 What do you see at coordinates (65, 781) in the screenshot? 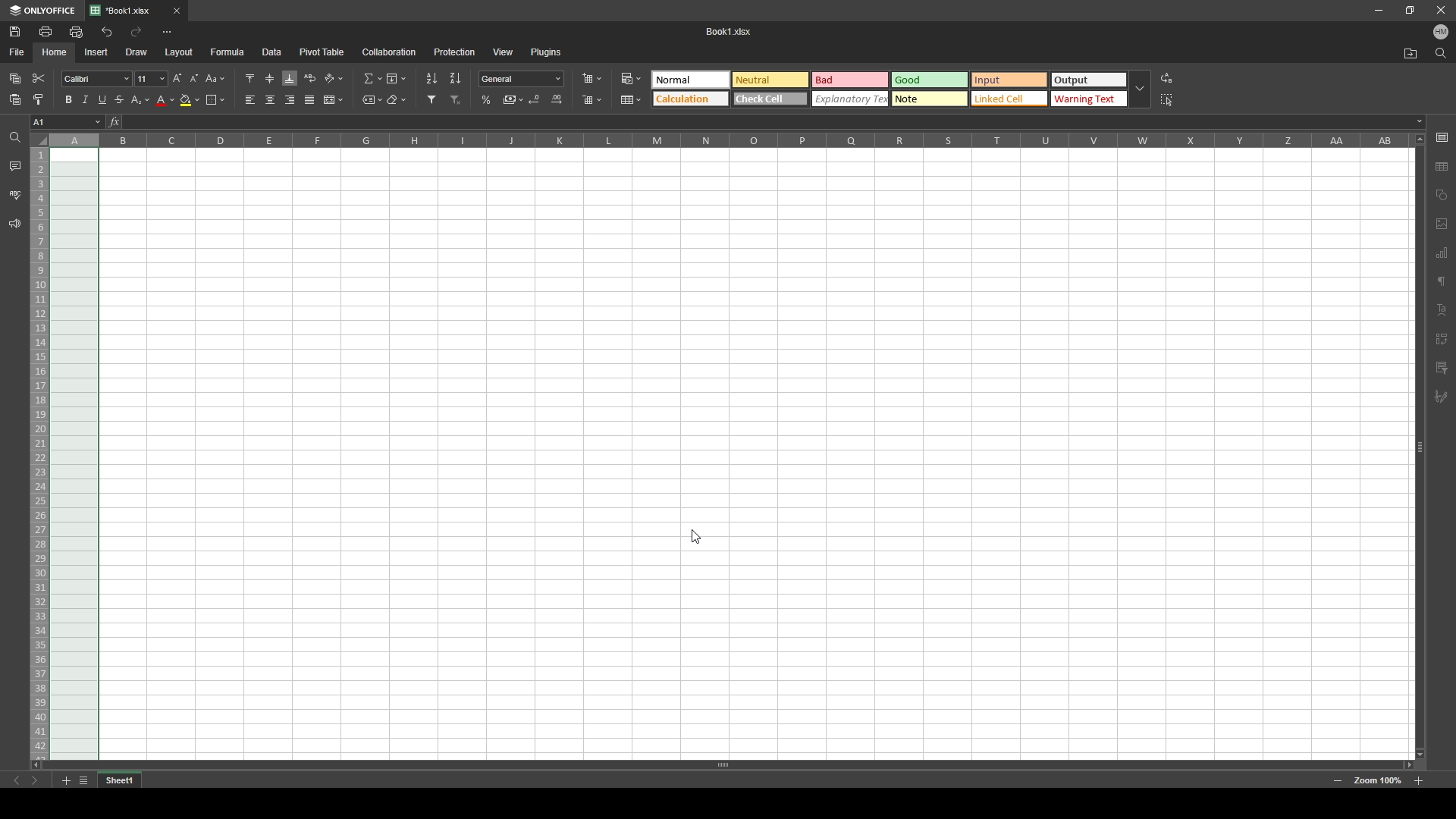
I see `add sheet` at bounding box center [65, 781].